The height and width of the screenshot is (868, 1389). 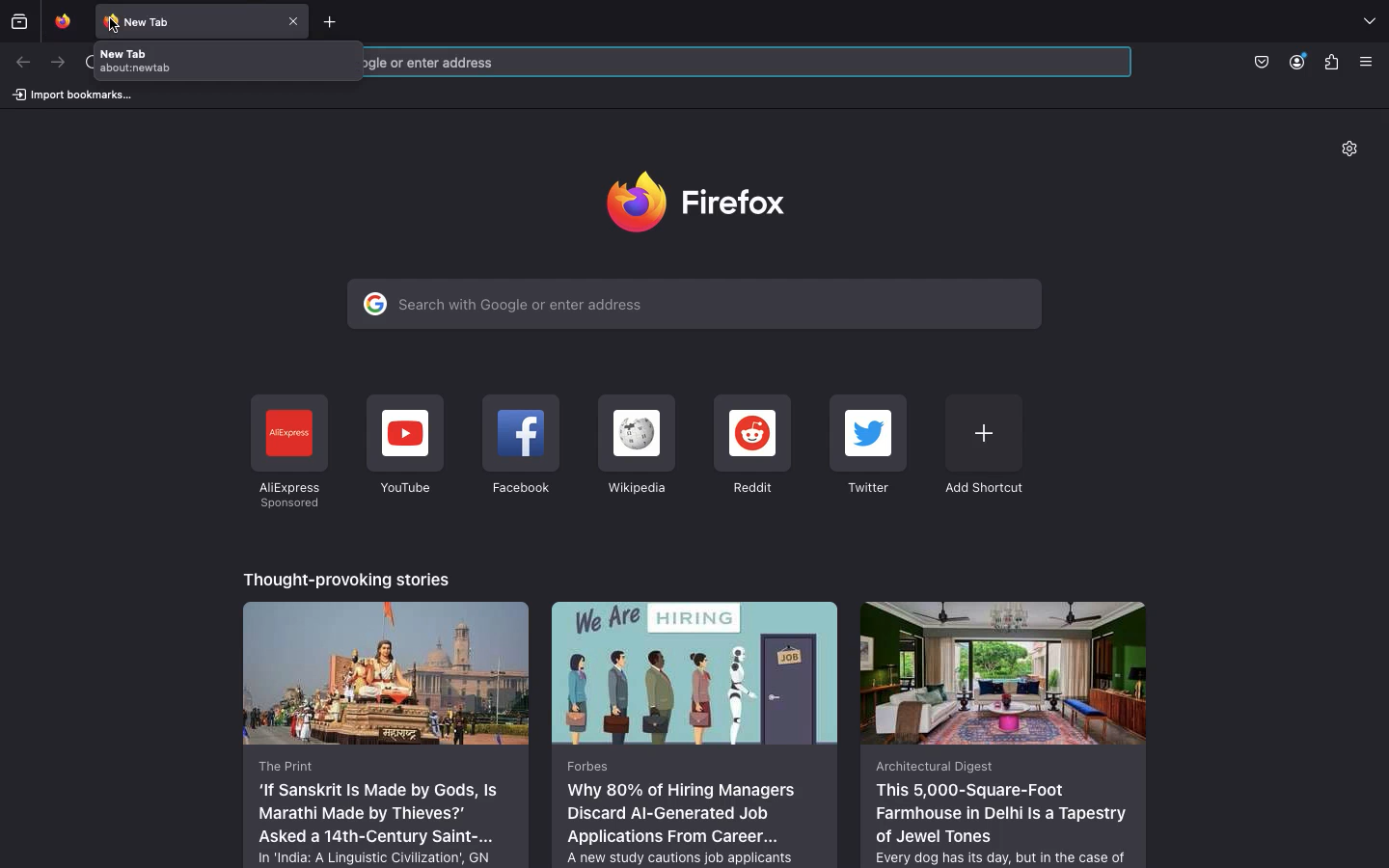 What do you see at coordinates (1356, 152) in the screenshot?
I see `Personalize New Tab` at bounding box center [1356, 152].